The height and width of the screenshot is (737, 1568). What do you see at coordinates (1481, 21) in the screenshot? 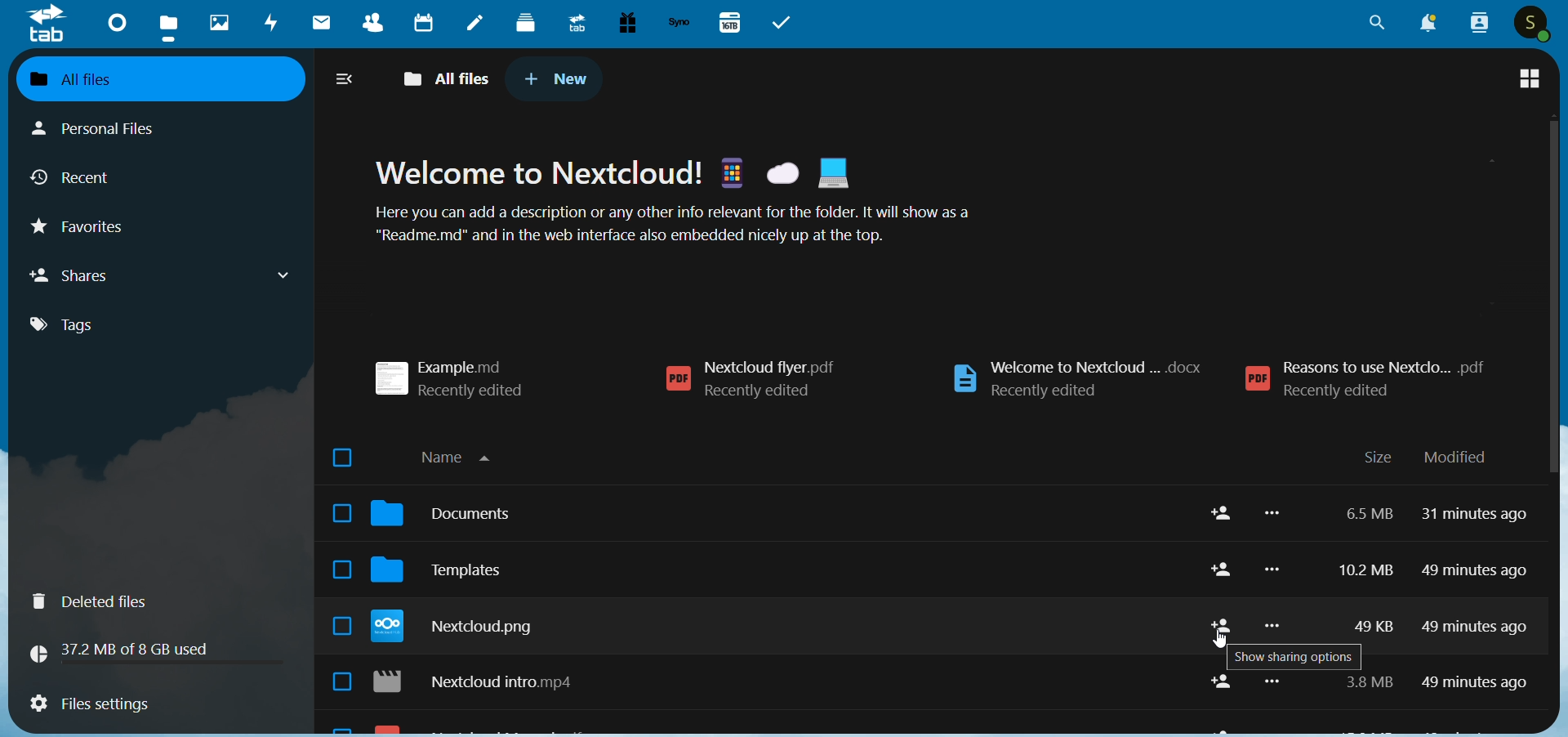
I see `people` at bounding box center [1481, 21].